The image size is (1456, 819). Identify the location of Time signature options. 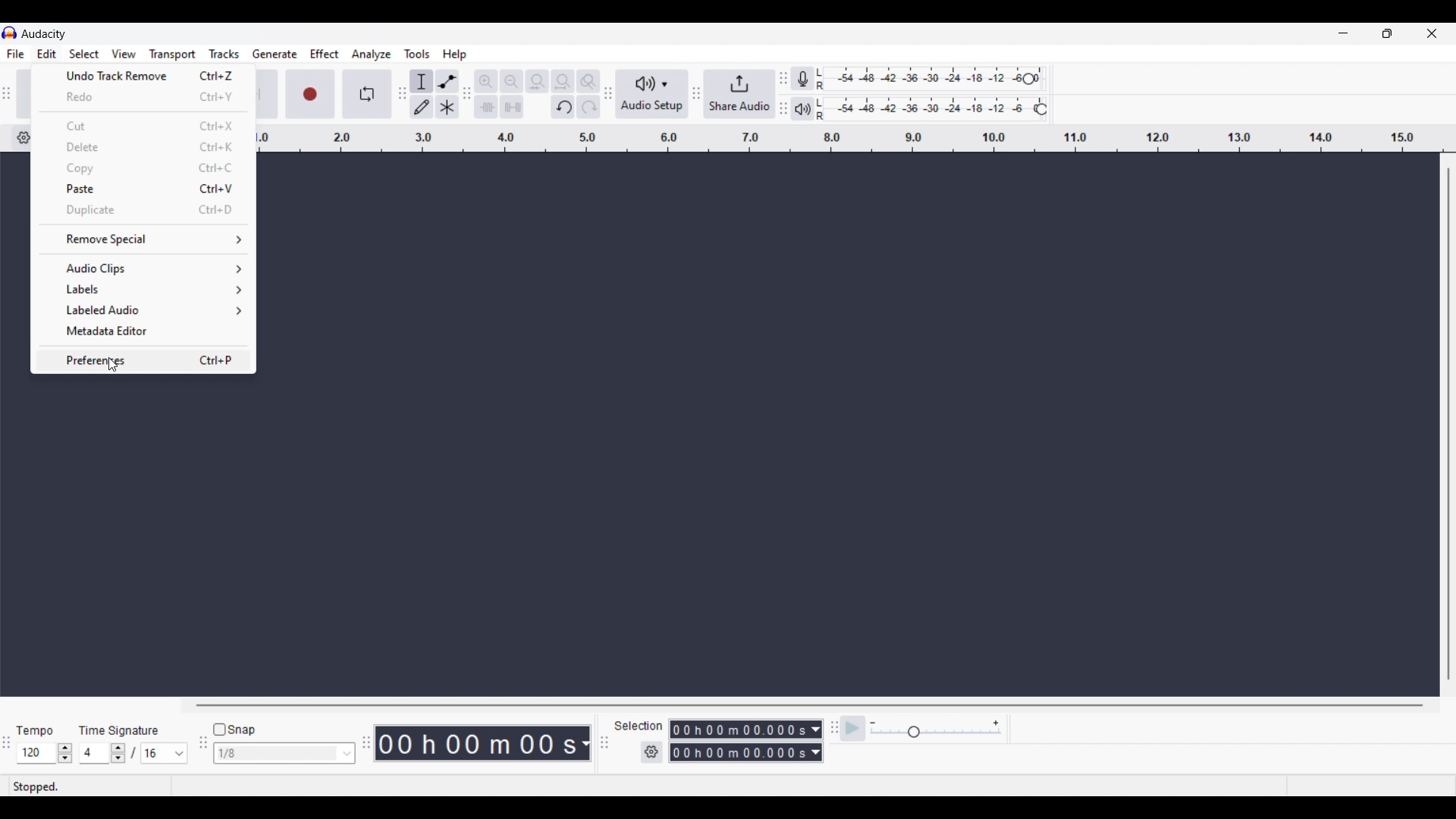
(180, 754).